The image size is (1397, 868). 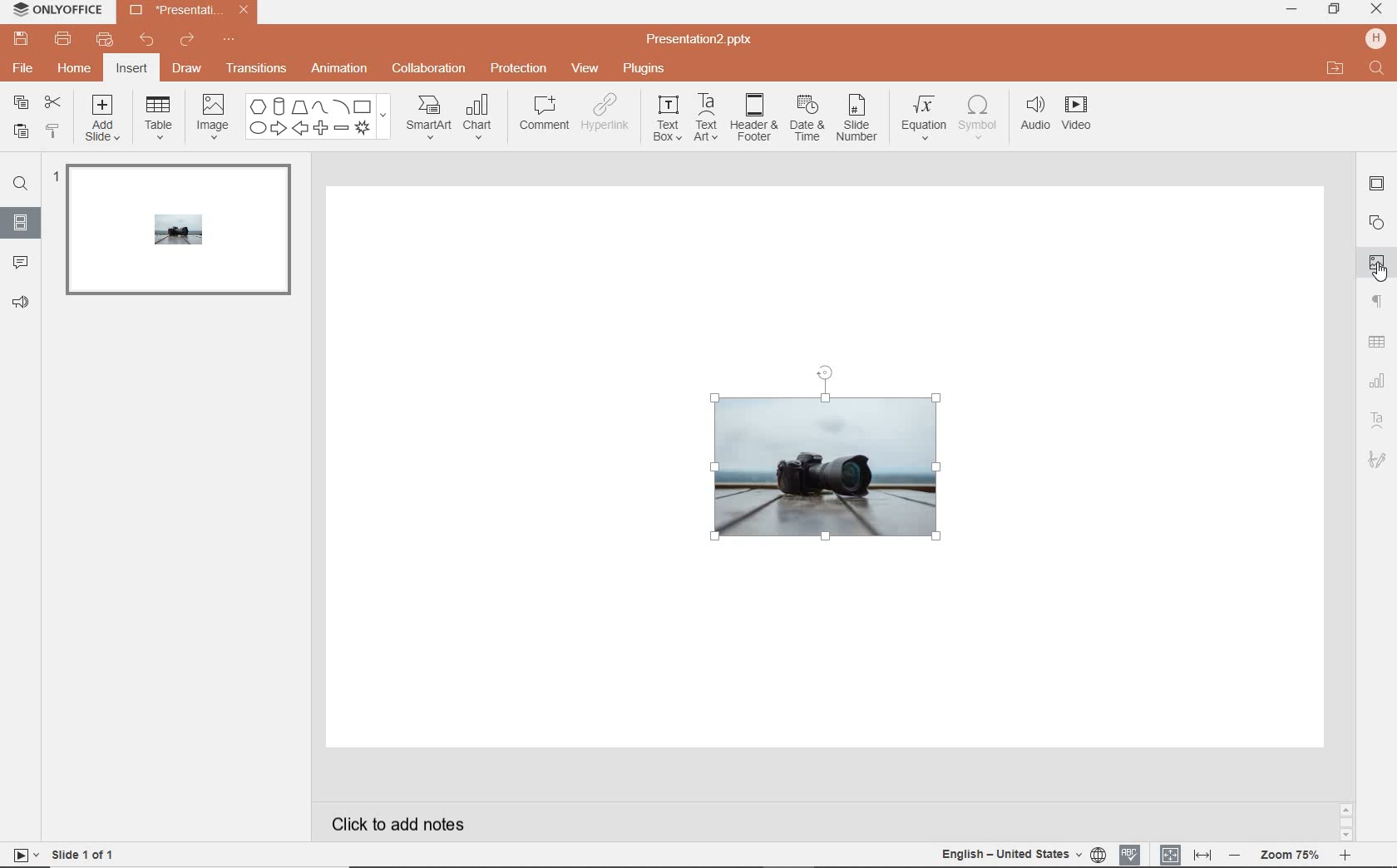 I want to click on comment, so click(x=545, y=116).